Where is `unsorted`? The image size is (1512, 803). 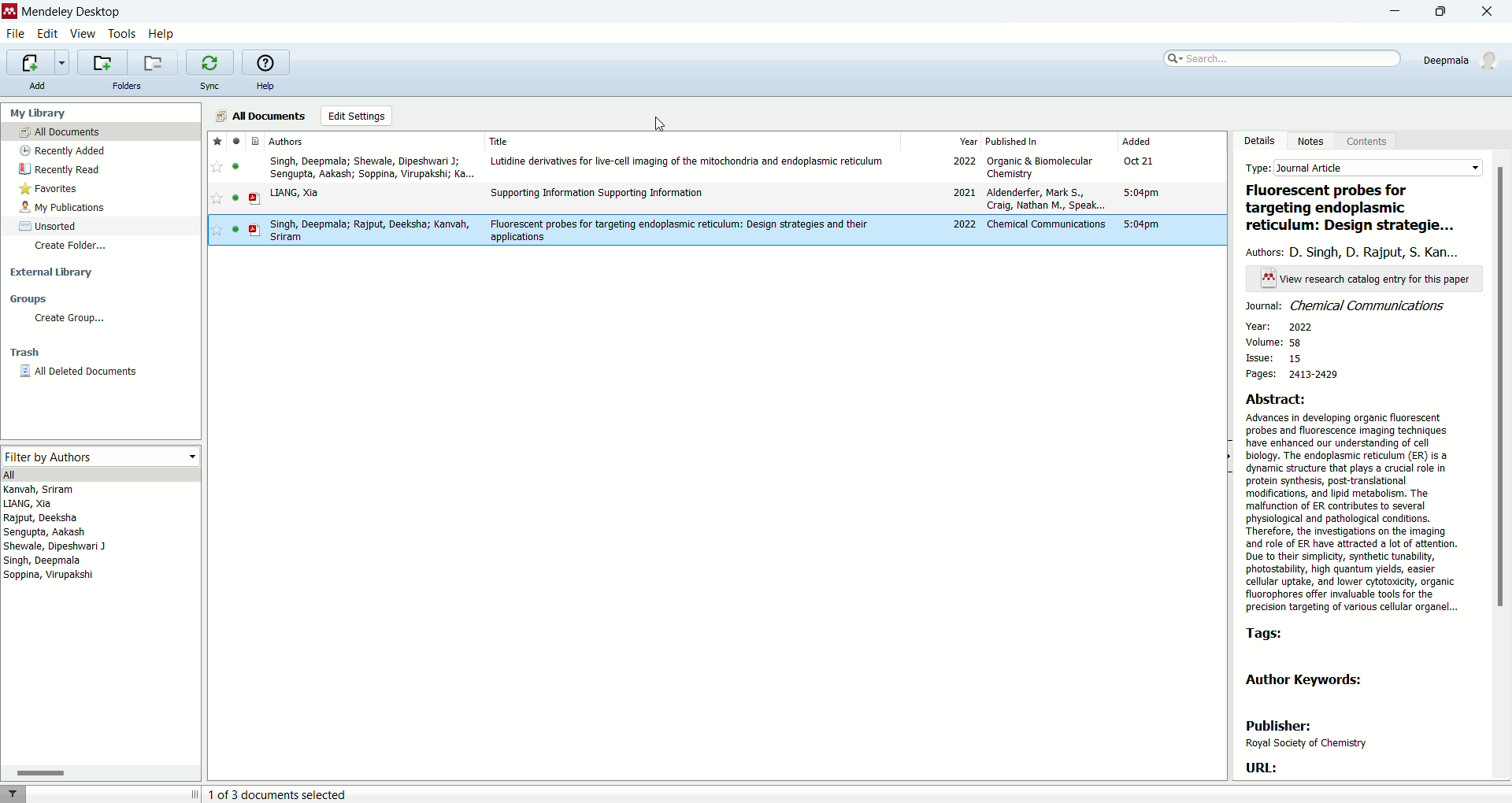 unsorted is located at coordinates (45, 227).